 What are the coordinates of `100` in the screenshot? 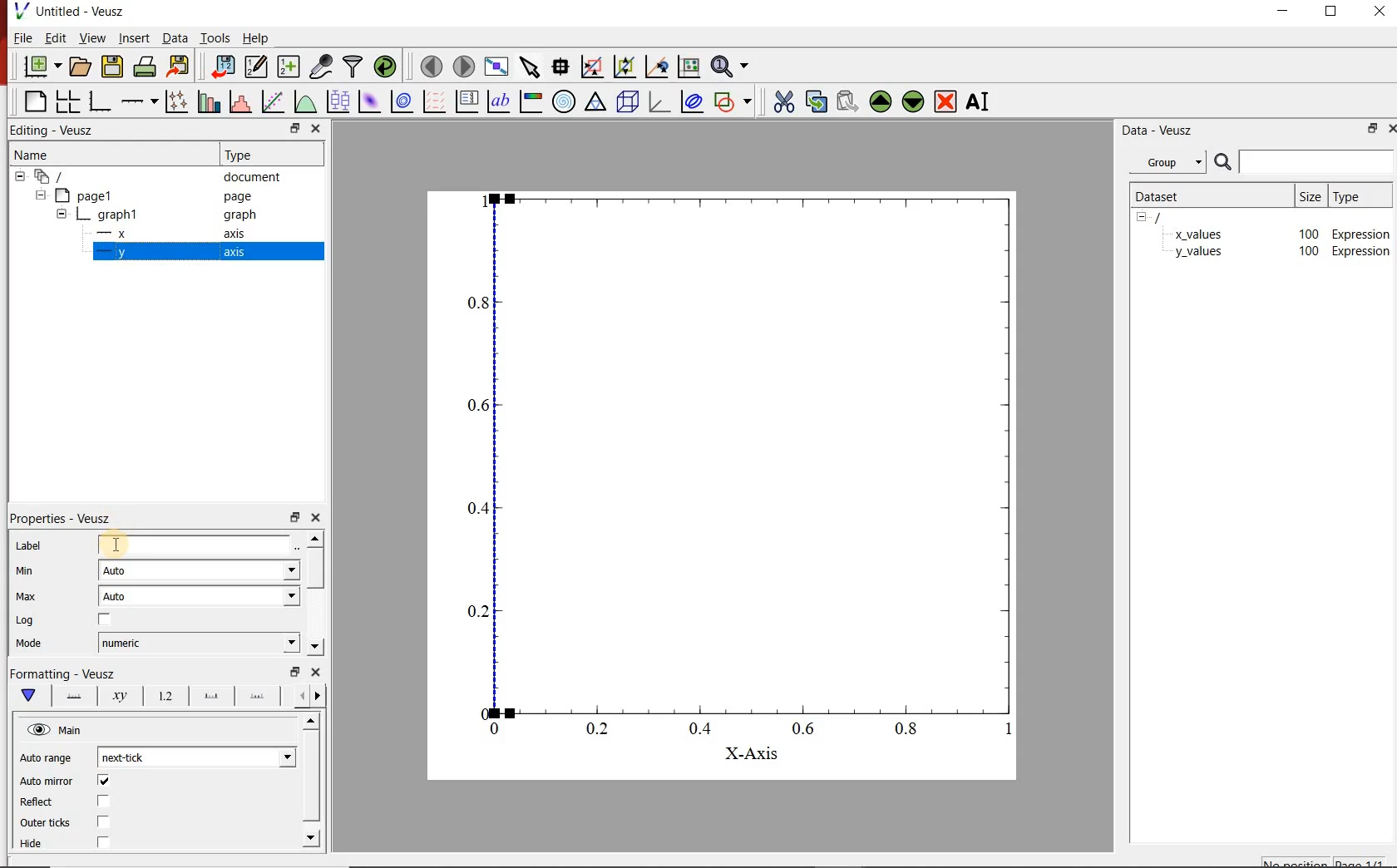 It's located at (1307, 253).